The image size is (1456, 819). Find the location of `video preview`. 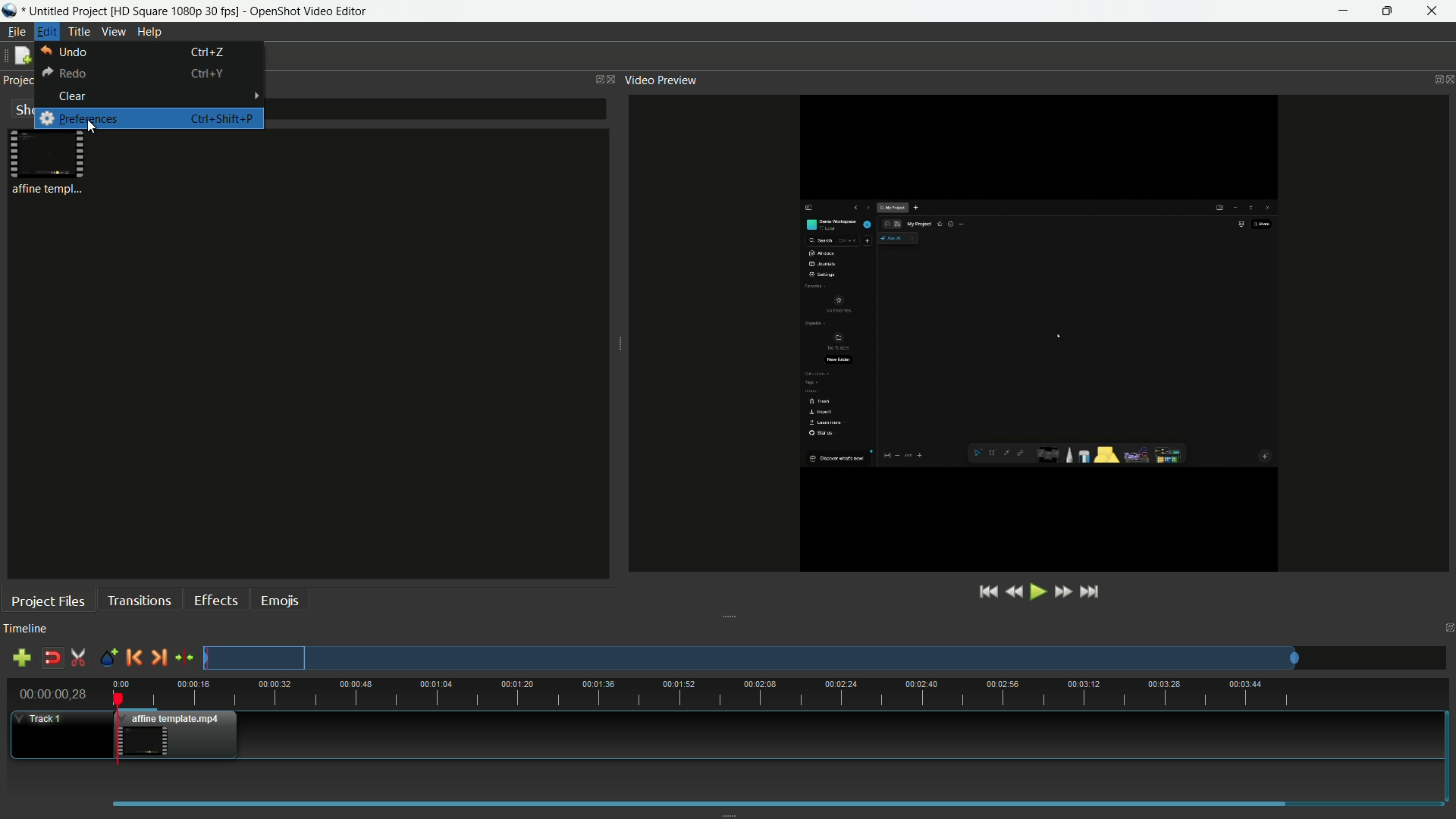

video preview is located at coordinates (662, 80).